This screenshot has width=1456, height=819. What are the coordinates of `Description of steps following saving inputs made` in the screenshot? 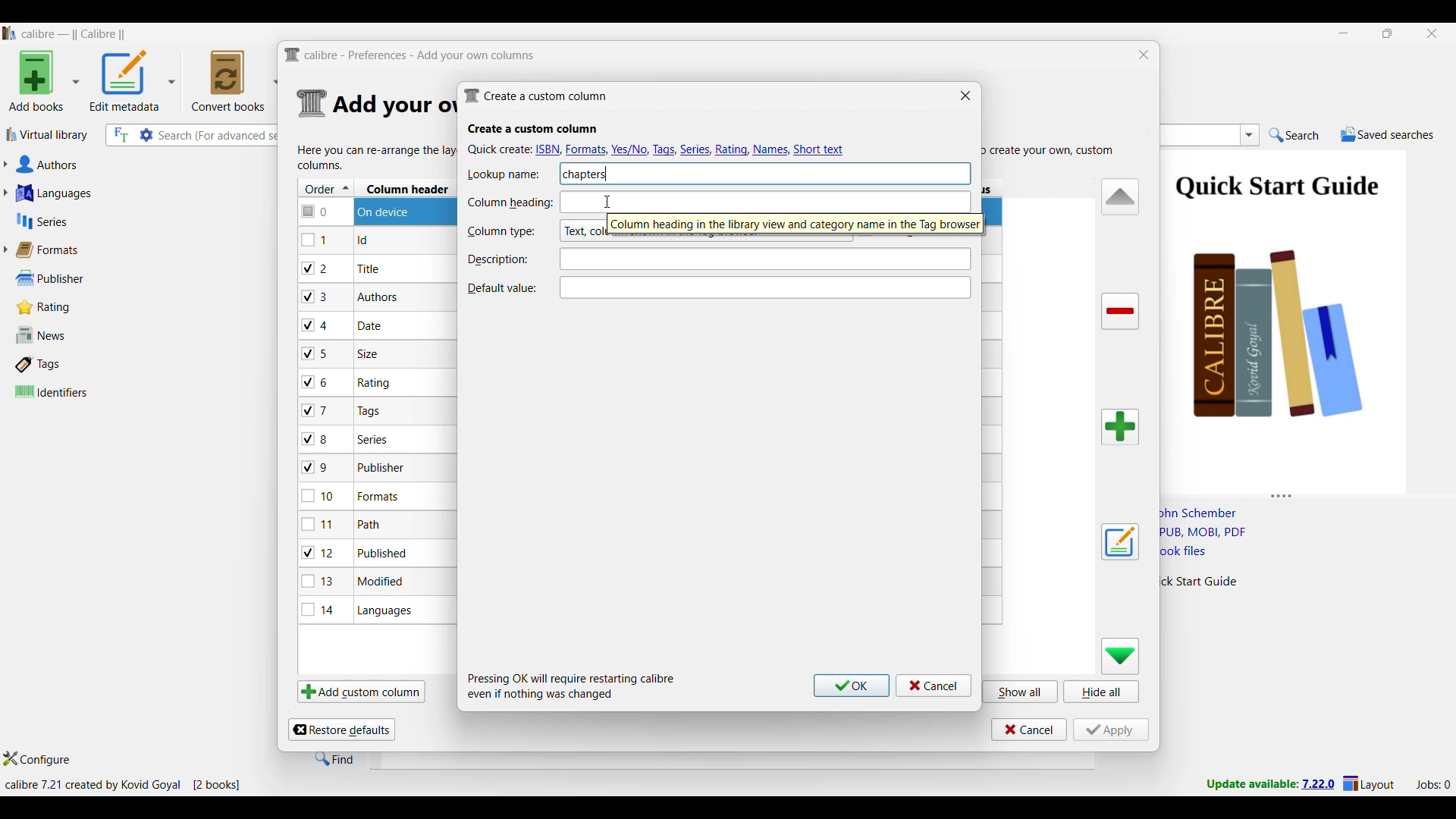 It's located at (572, 686).